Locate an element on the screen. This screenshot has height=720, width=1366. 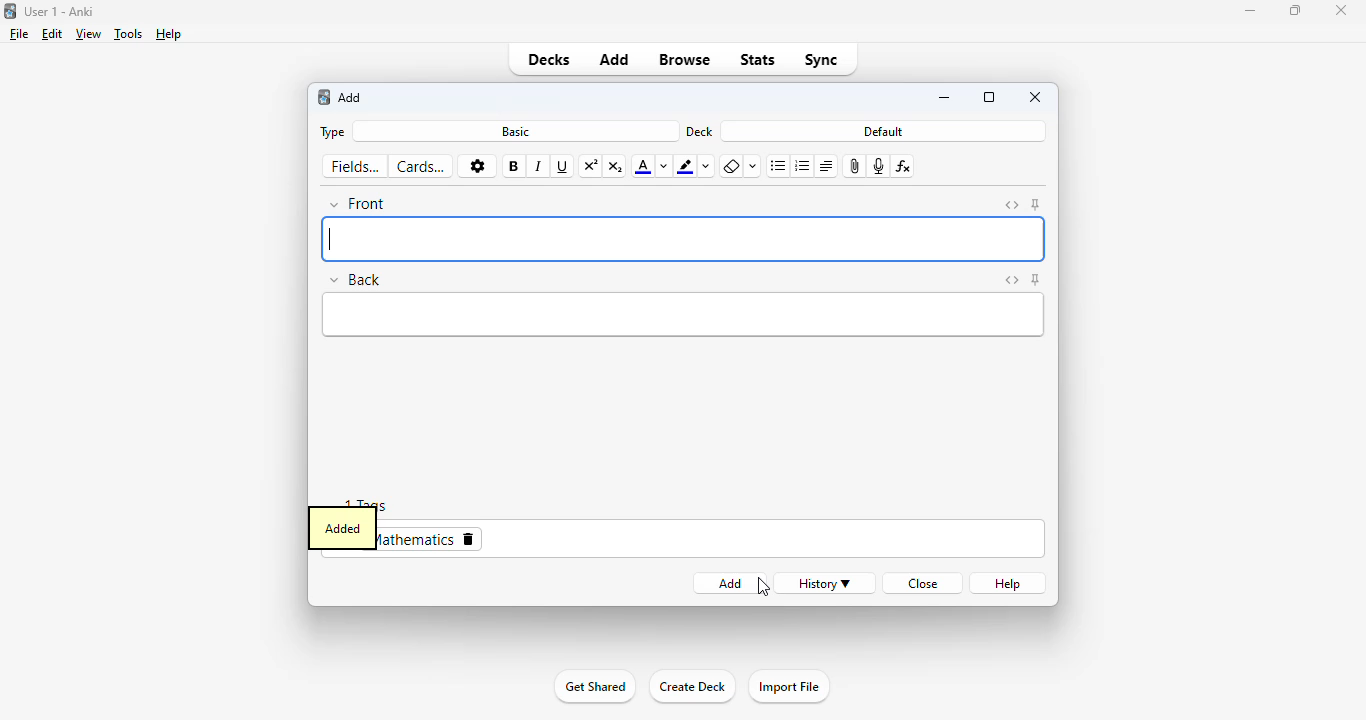
stats is located at coordinates (758, 61).